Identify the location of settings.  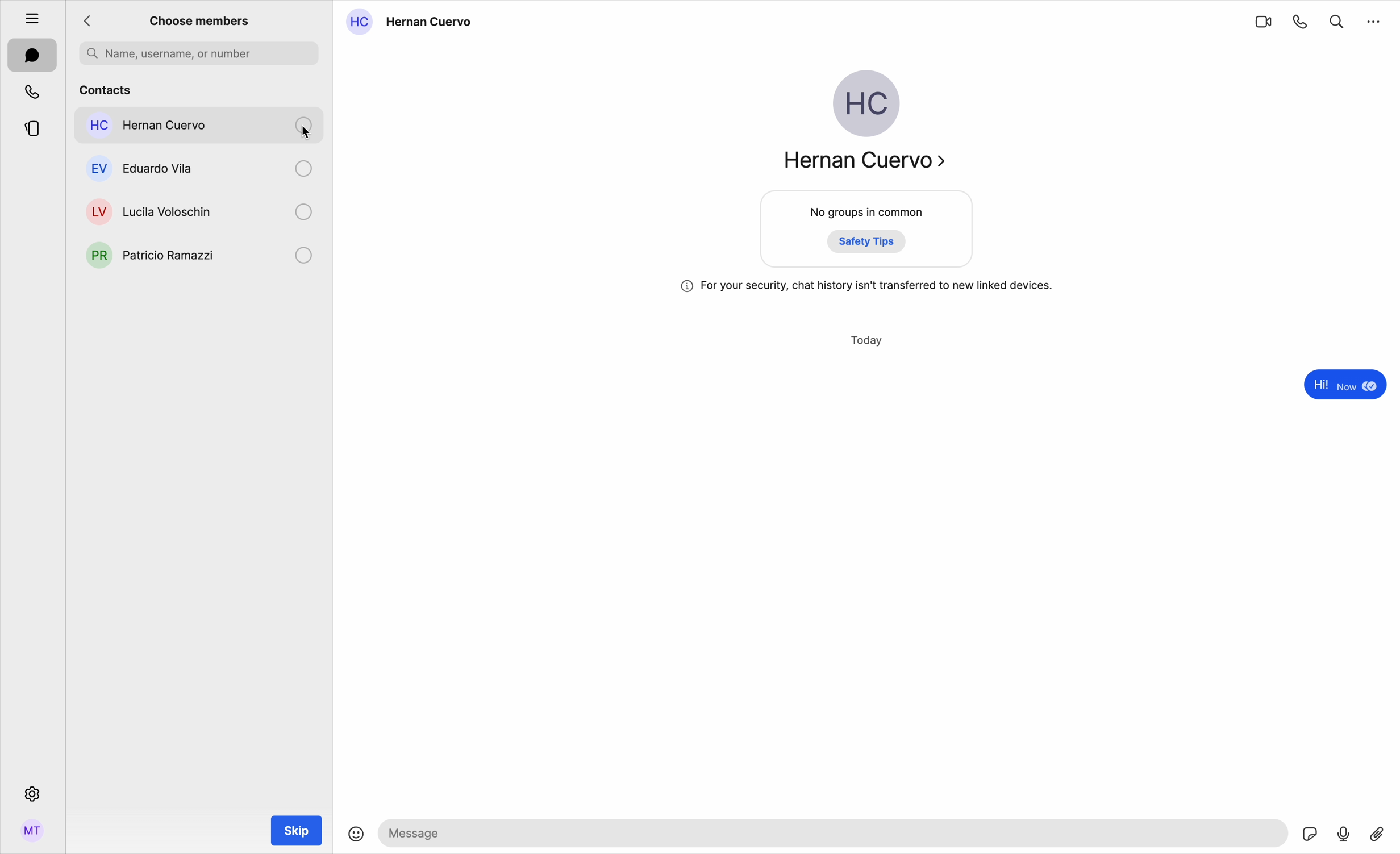
(31, 793).